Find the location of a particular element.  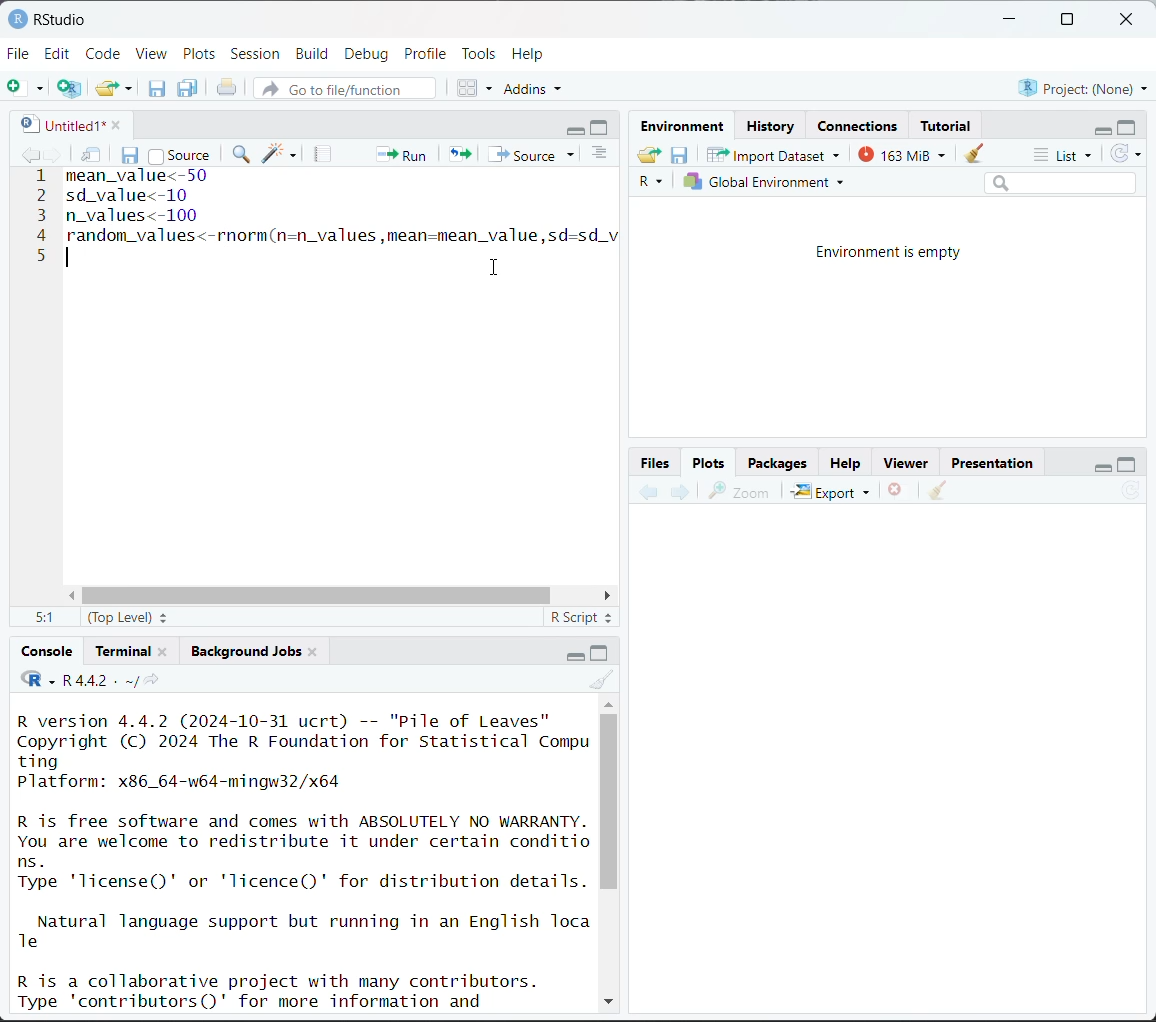

code is located at coordinates (37, 680).